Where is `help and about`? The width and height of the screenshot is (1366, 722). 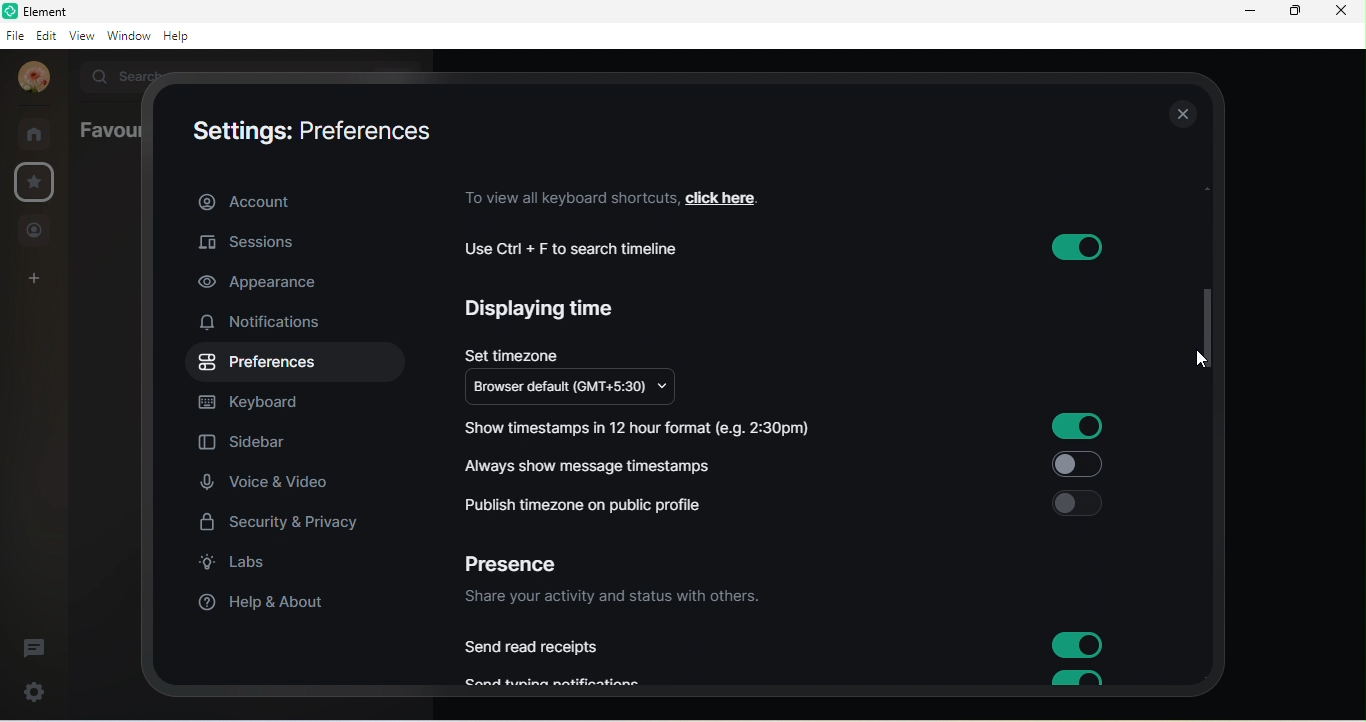 help and about is located at coordinates (263, 605).